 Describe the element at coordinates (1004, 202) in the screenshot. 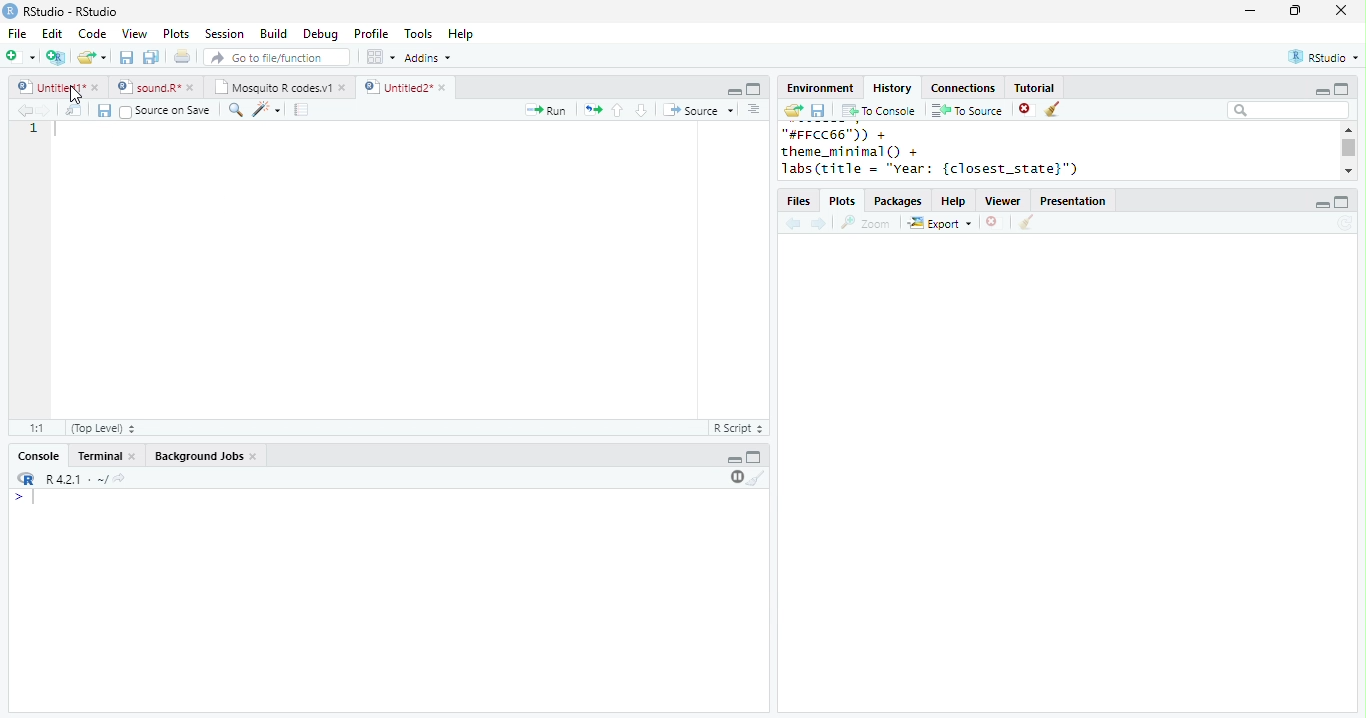

I see `Viewer` at that location.